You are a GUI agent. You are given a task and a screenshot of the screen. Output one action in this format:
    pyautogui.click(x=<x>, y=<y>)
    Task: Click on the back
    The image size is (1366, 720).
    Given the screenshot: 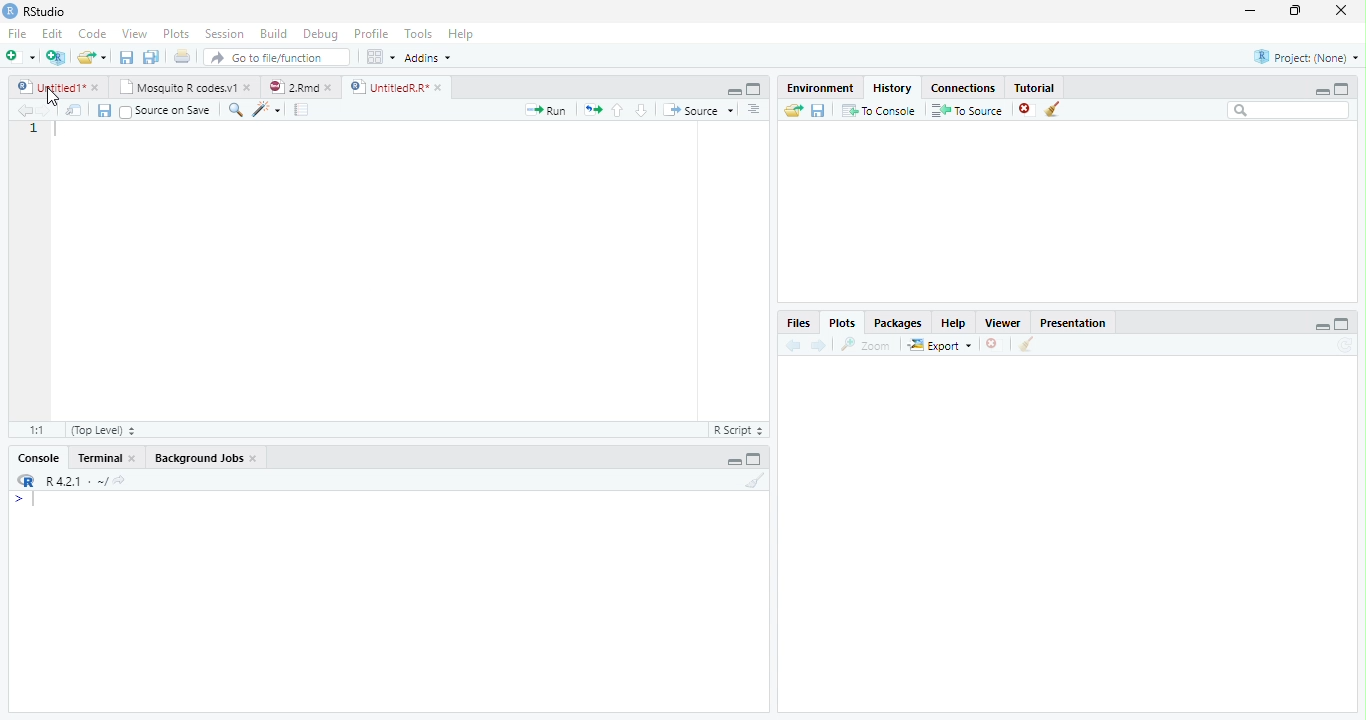 What is the action you would take?
    pyautogui.click(x=790, y=345)
    